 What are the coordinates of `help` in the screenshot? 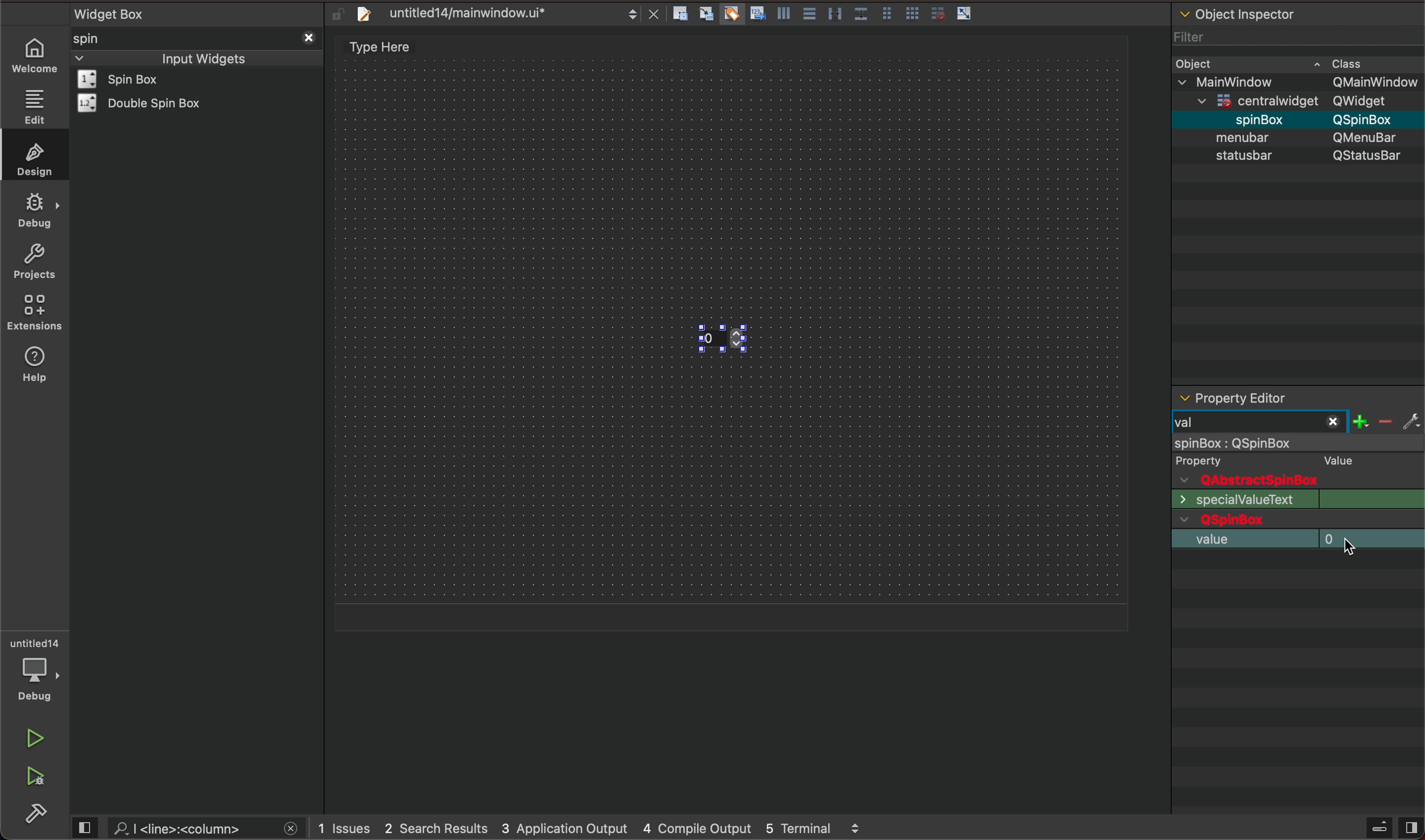 It's located at (40, 371).